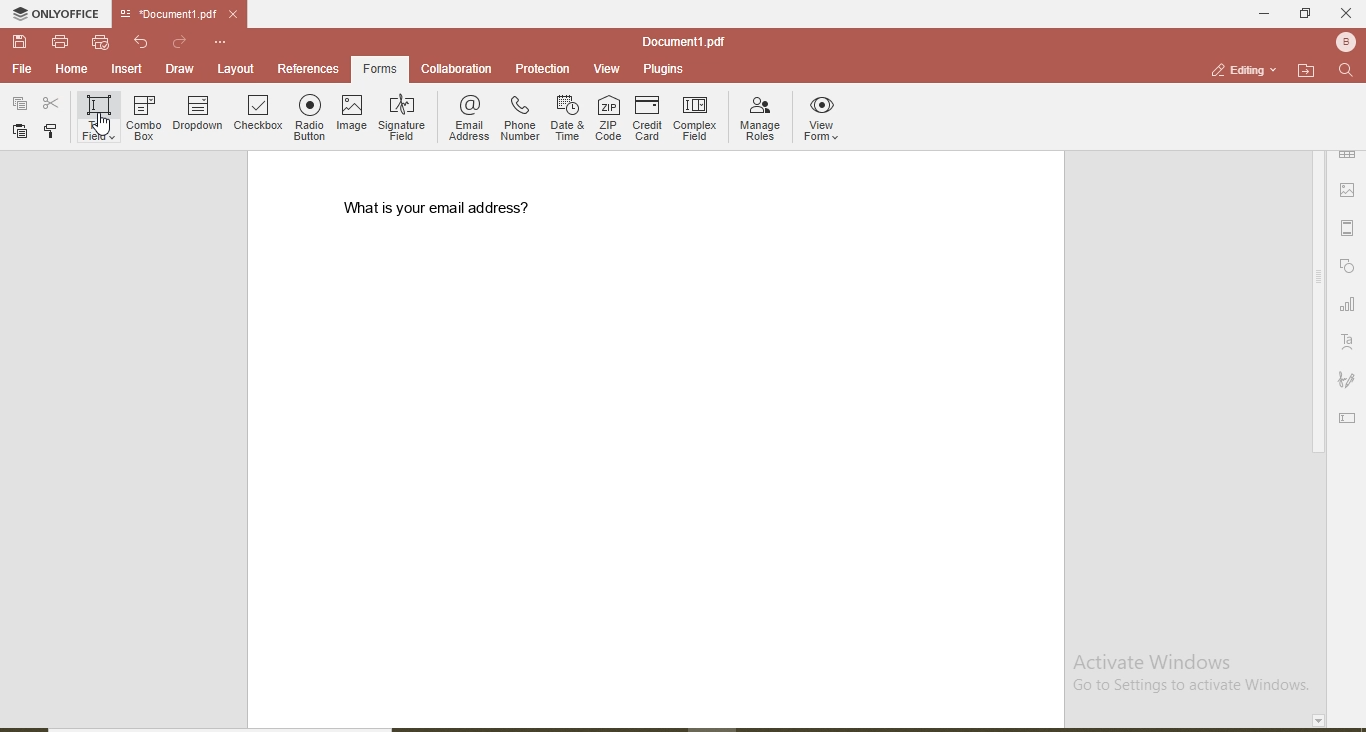 The width and height of the screenshot is (1366, 732). What do you see at coordinates (520, 121) in the screenshot?
I see `phone number` at bounding box center [520, 121].